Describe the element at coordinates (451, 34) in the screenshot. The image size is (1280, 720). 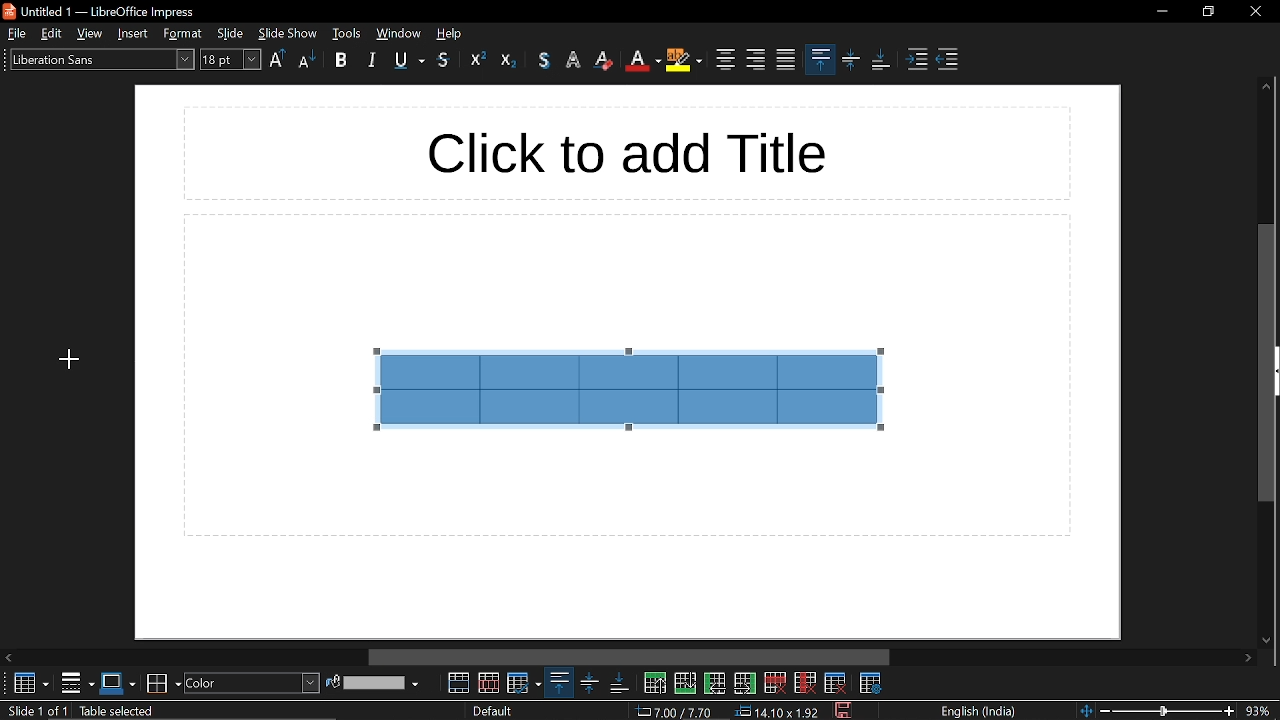
I see `help` at that location.